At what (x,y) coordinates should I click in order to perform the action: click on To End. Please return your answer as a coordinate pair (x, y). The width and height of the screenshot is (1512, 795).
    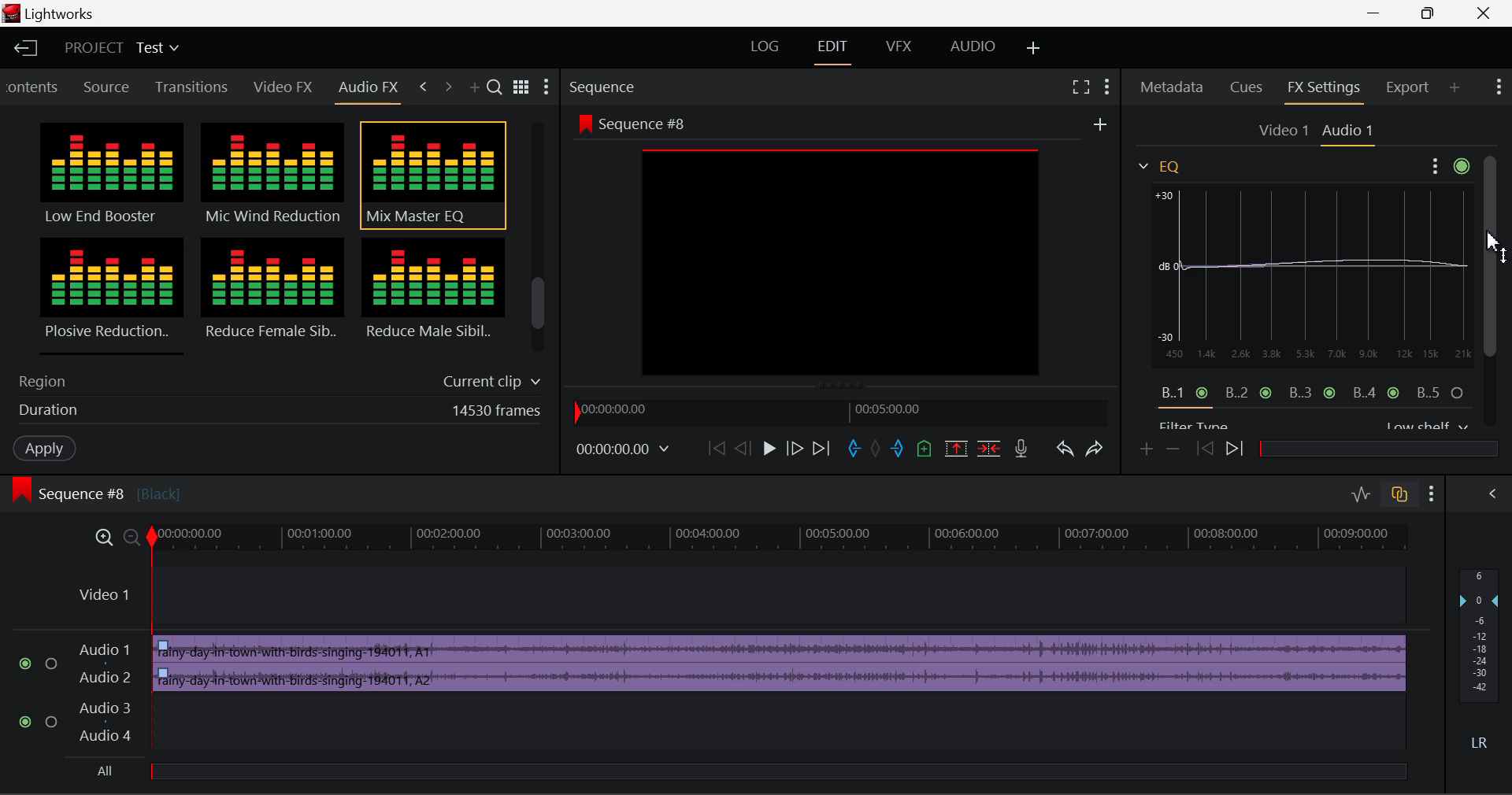
    Looking at the image, I should click on (825, 450).